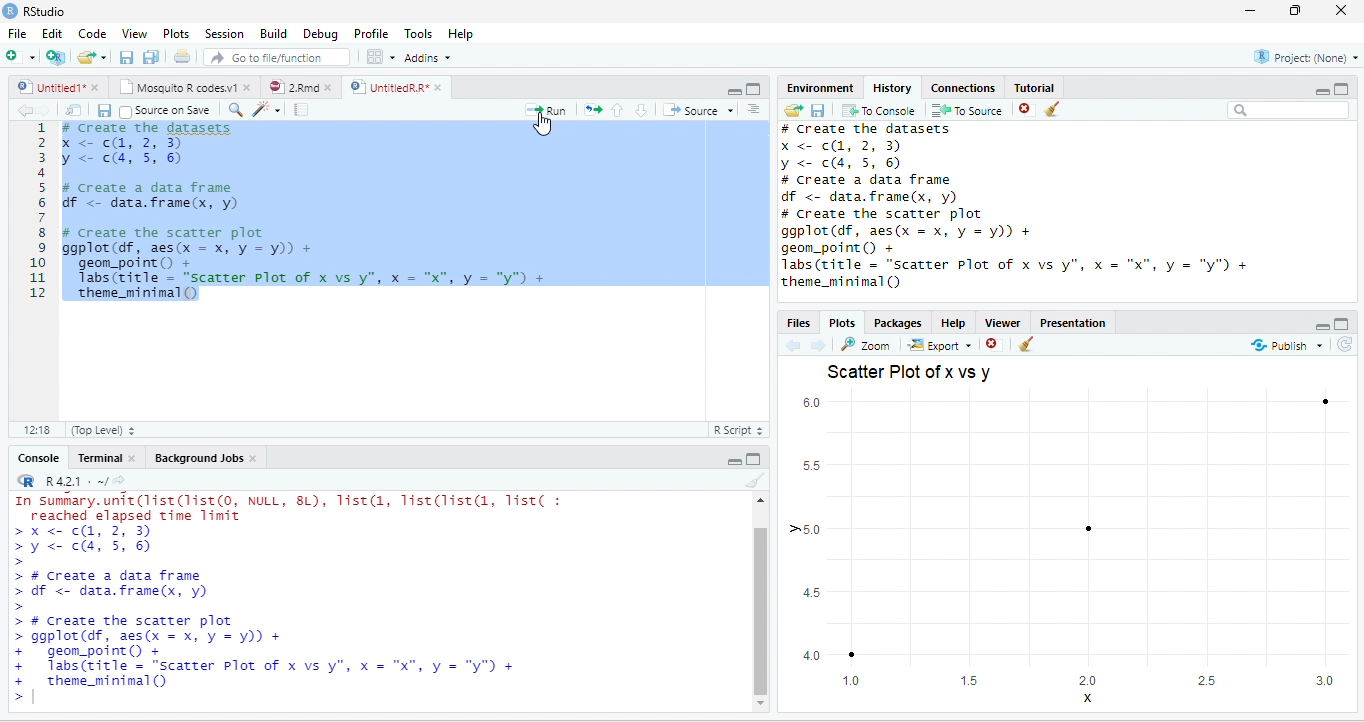  Describe the element at coordinates (1297, 11) in the screenshot. I see `restore` at that location.